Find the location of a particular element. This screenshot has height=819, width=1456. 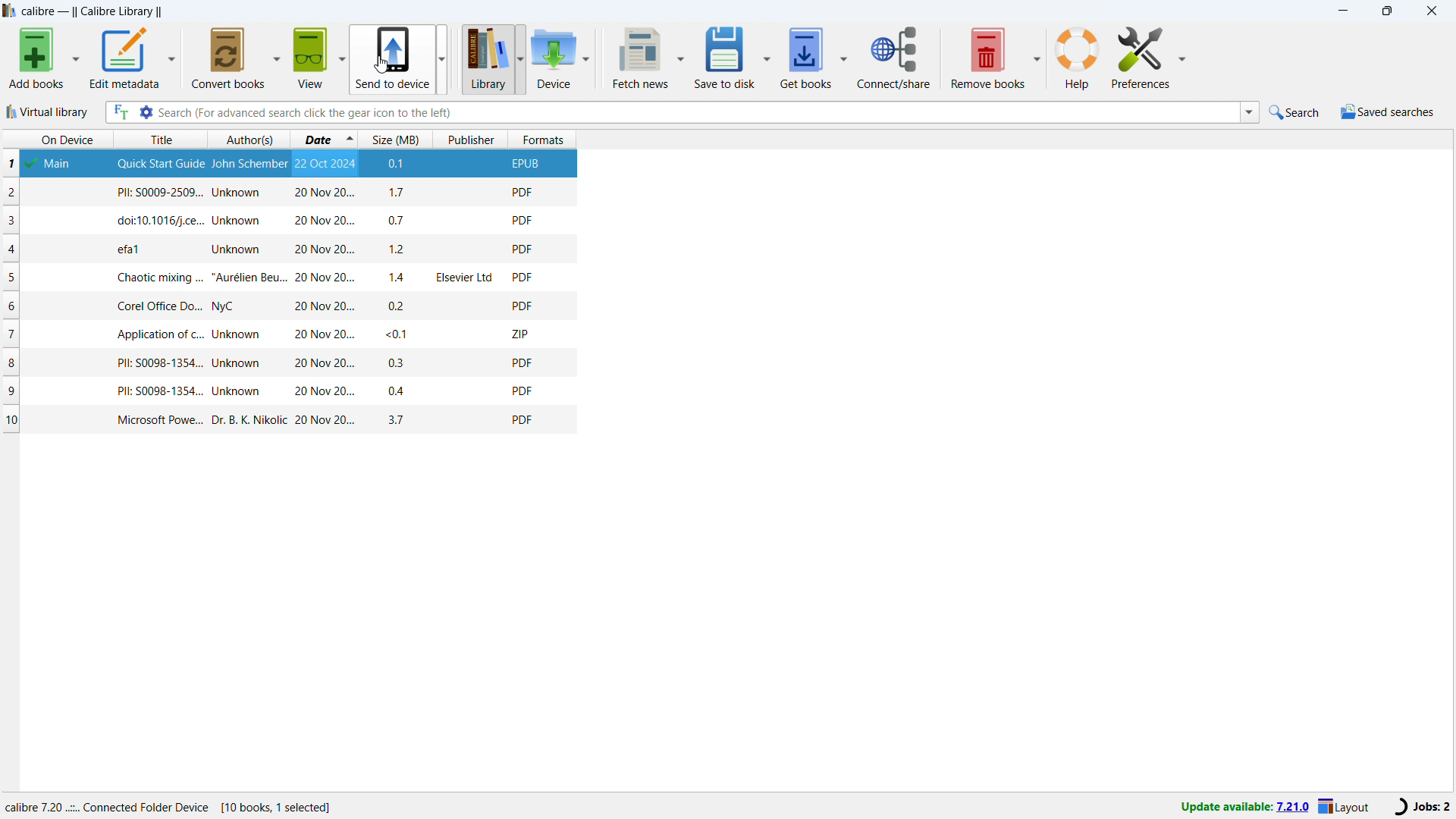

library  is located at coordinates (487, 58).